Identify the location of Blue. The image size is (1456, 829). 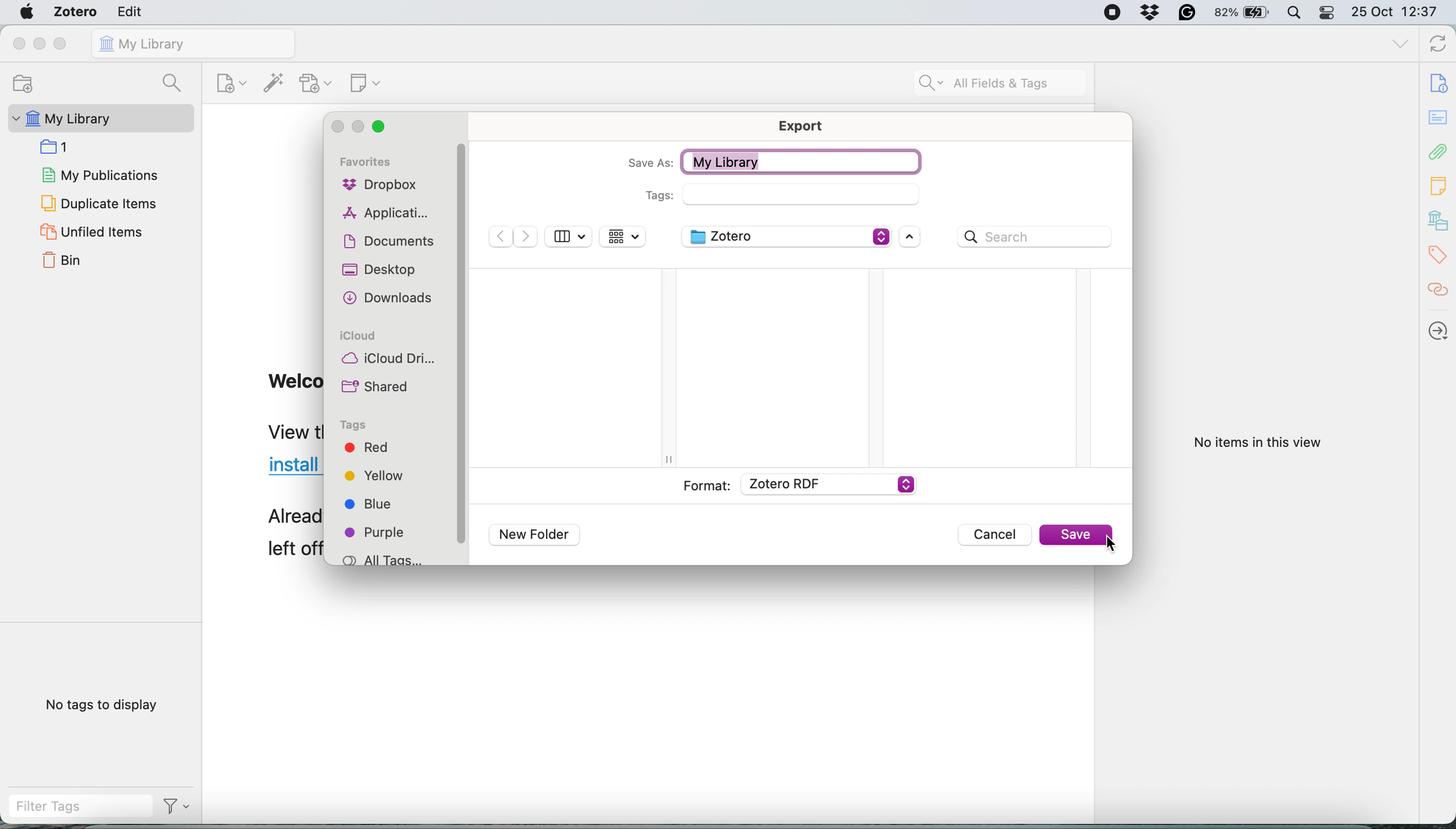
(382, 507).